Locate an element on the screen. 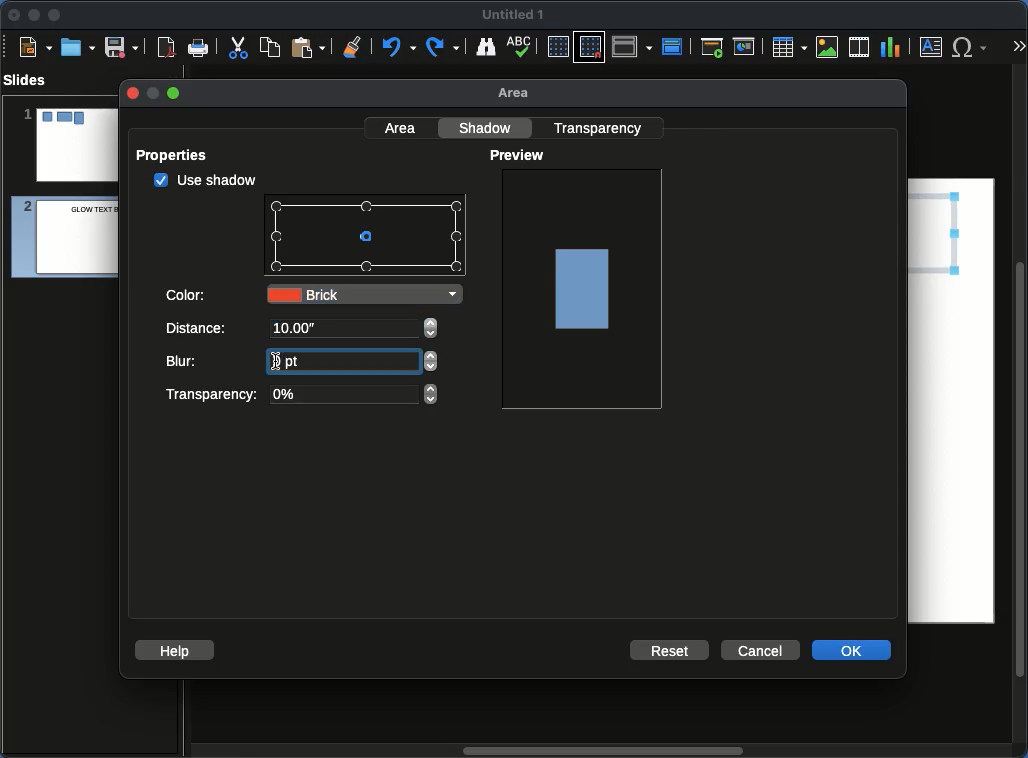 The image size is (1028, 758). Image is located at coordinates (584, 287).